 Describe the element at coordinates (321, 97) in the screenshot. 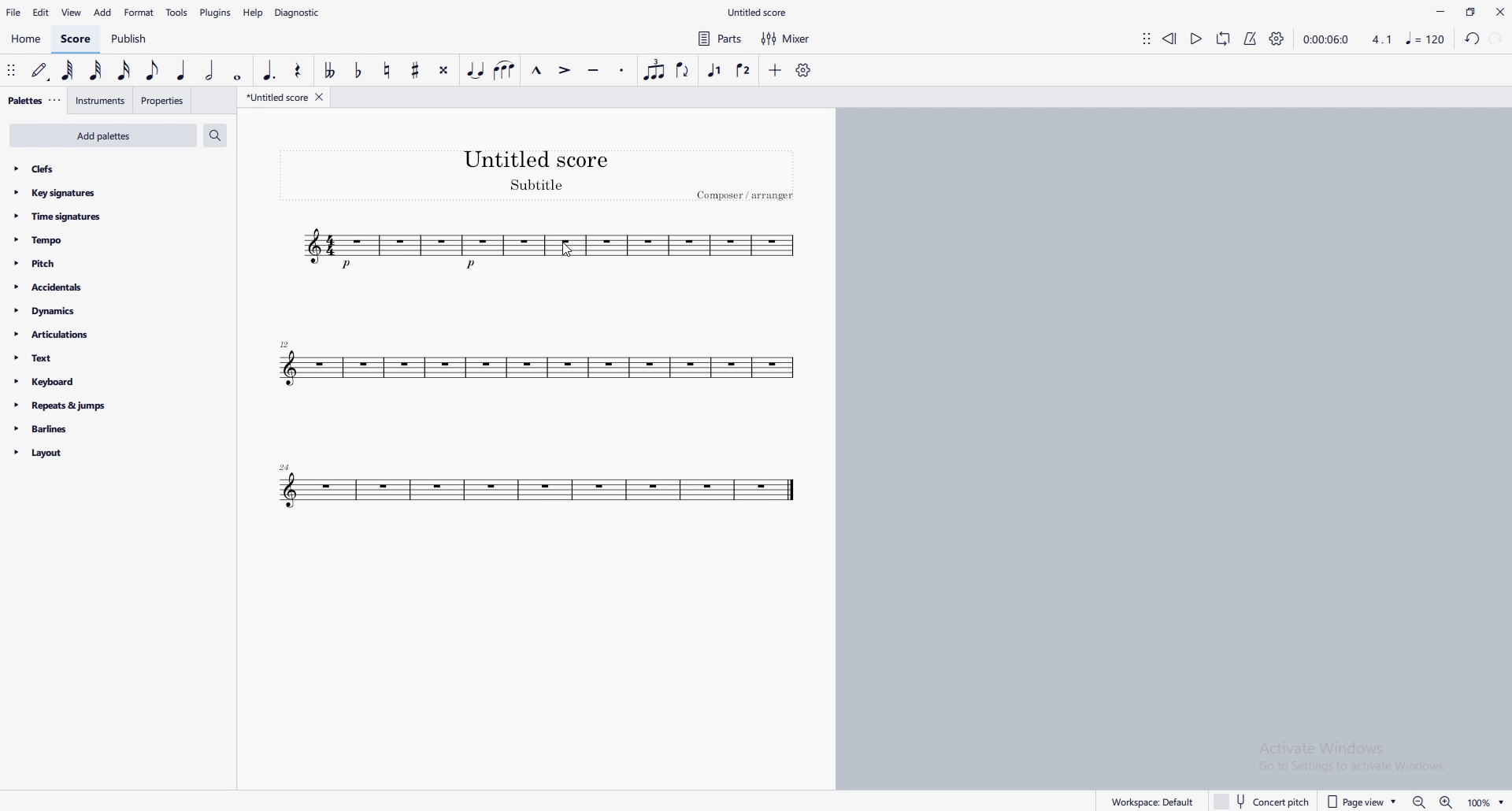

I see `close` at that location.